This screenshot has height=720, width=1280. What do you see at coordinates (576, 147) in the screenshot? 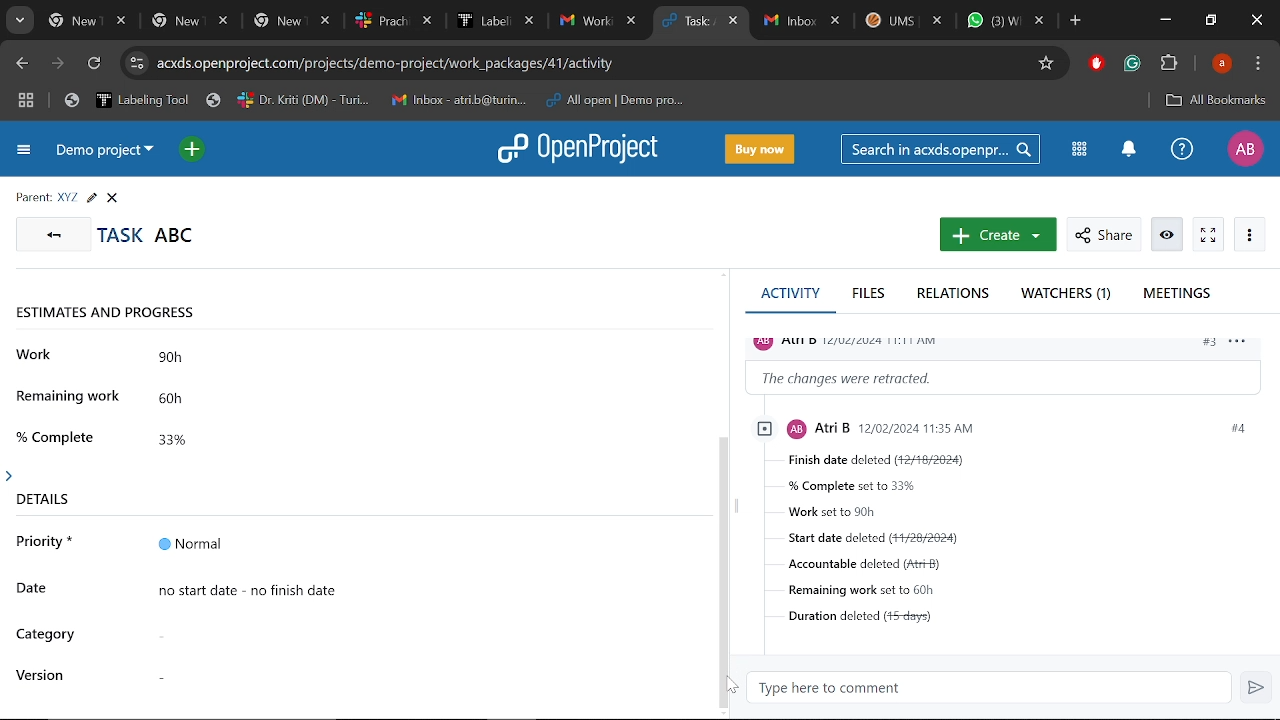
I see `Open project logo` at bounding box center [576, 147].